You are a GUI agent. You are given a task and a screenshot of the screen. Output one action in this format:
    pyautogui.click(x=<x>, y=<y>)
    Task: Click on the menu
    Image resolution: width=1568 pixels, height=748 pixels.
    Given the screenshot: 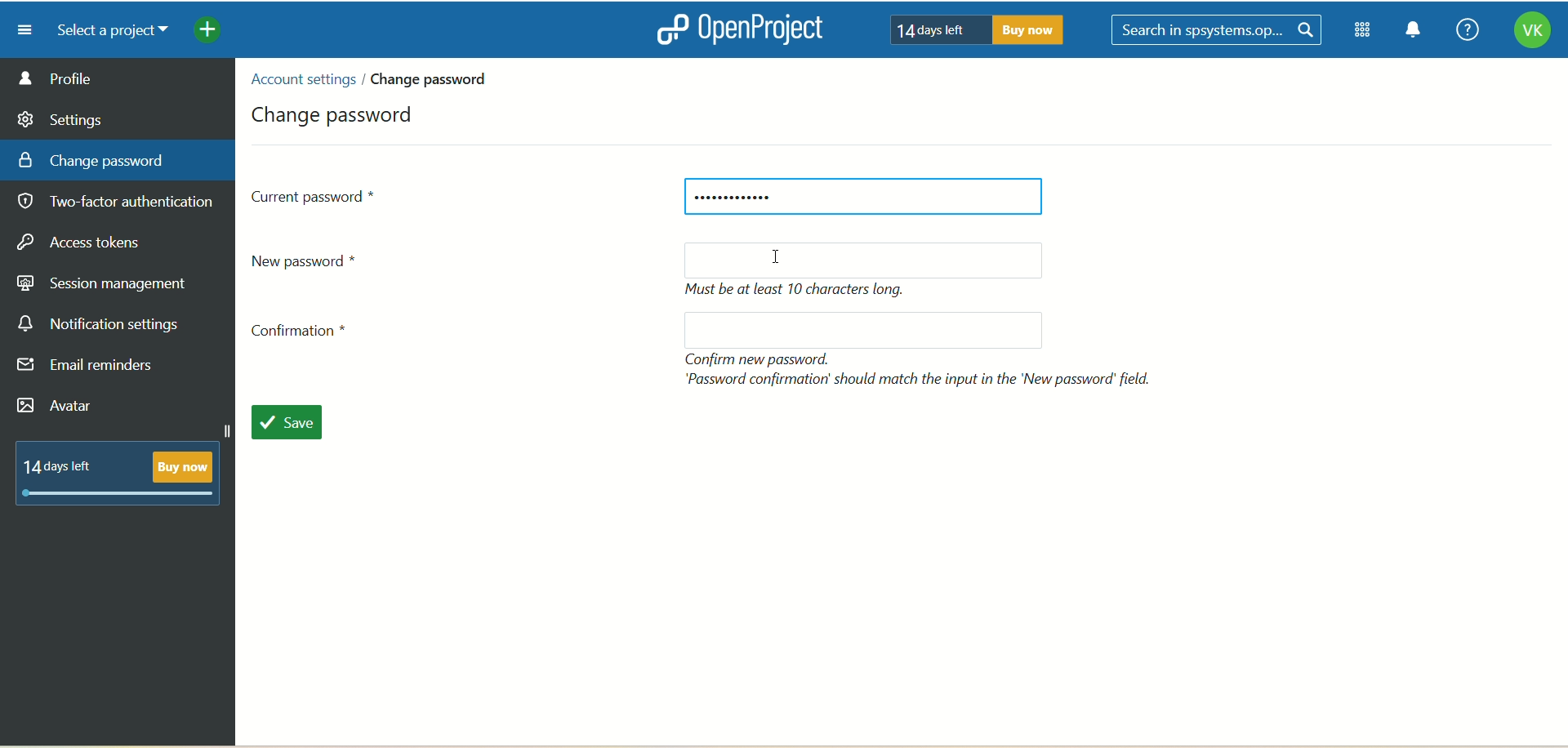 What is the action you would take?
    pyautogui.click(x=19, y=29)
    